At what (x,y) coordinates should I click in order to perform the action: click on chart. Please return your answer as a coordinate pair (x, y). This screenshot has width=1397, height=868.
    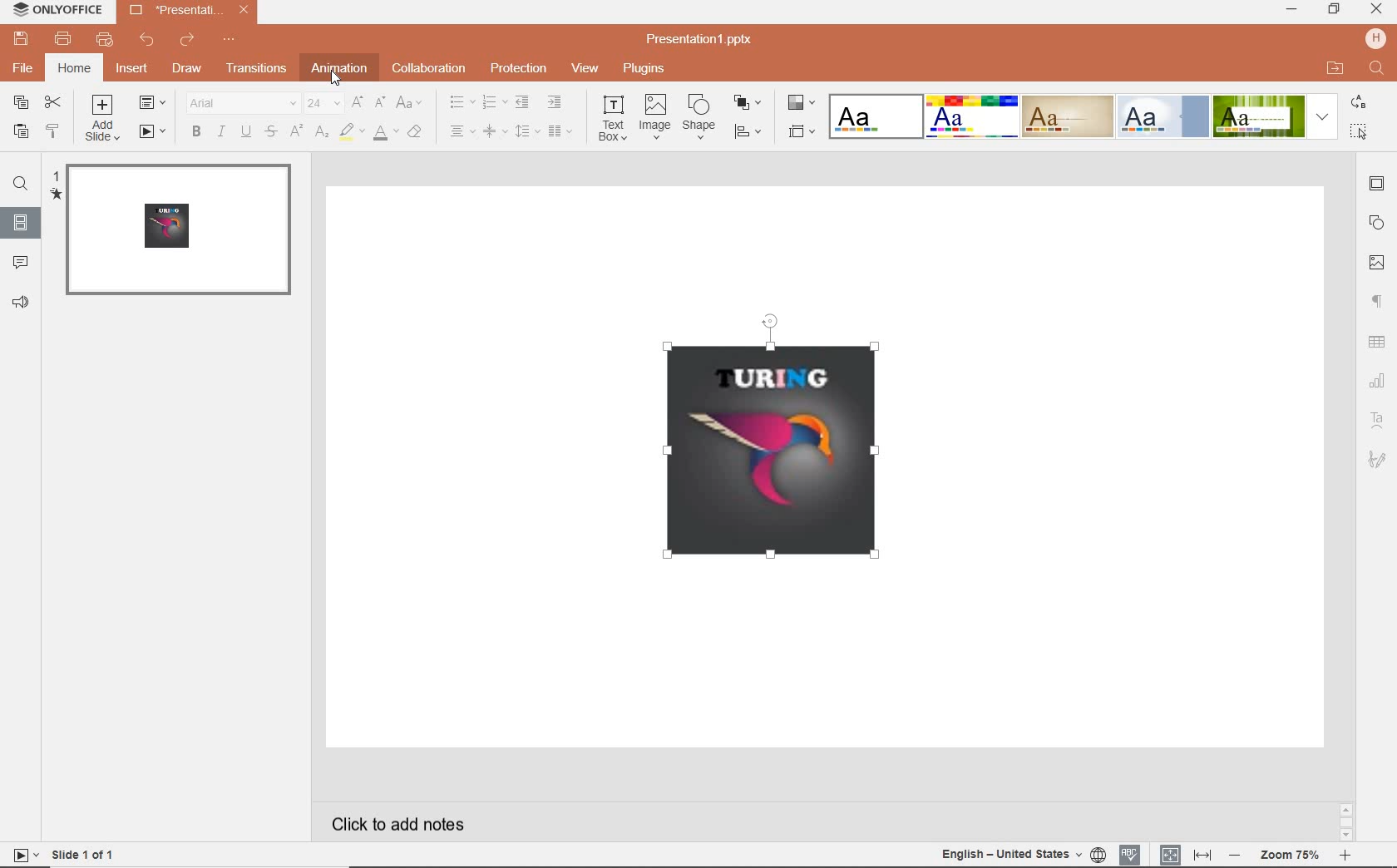
    Looking at the image, I should click on (1378, 379).